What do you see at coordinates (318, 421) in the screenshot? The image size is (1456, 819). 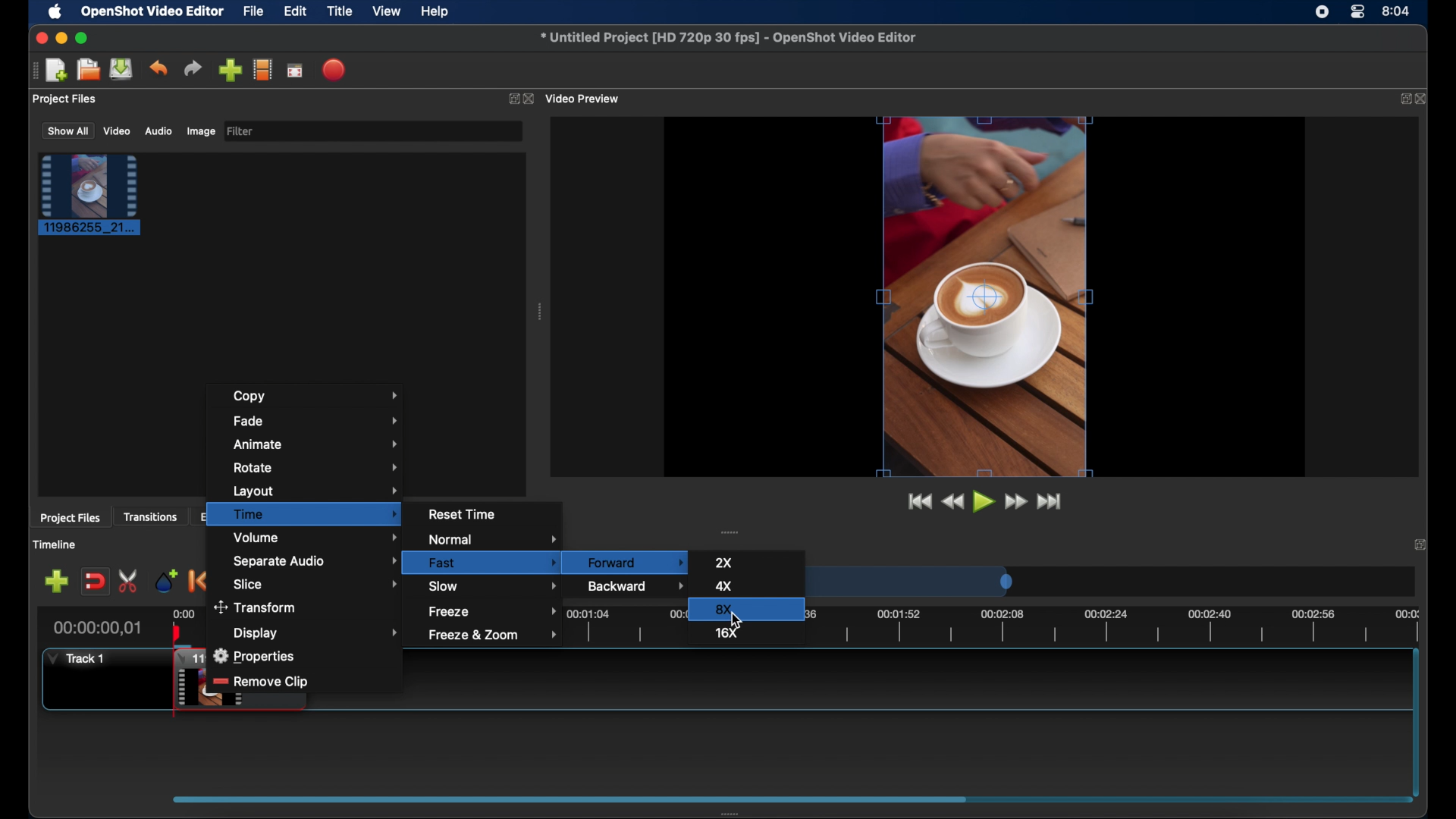 I see `fade menu` at bounding box center [318, 421].